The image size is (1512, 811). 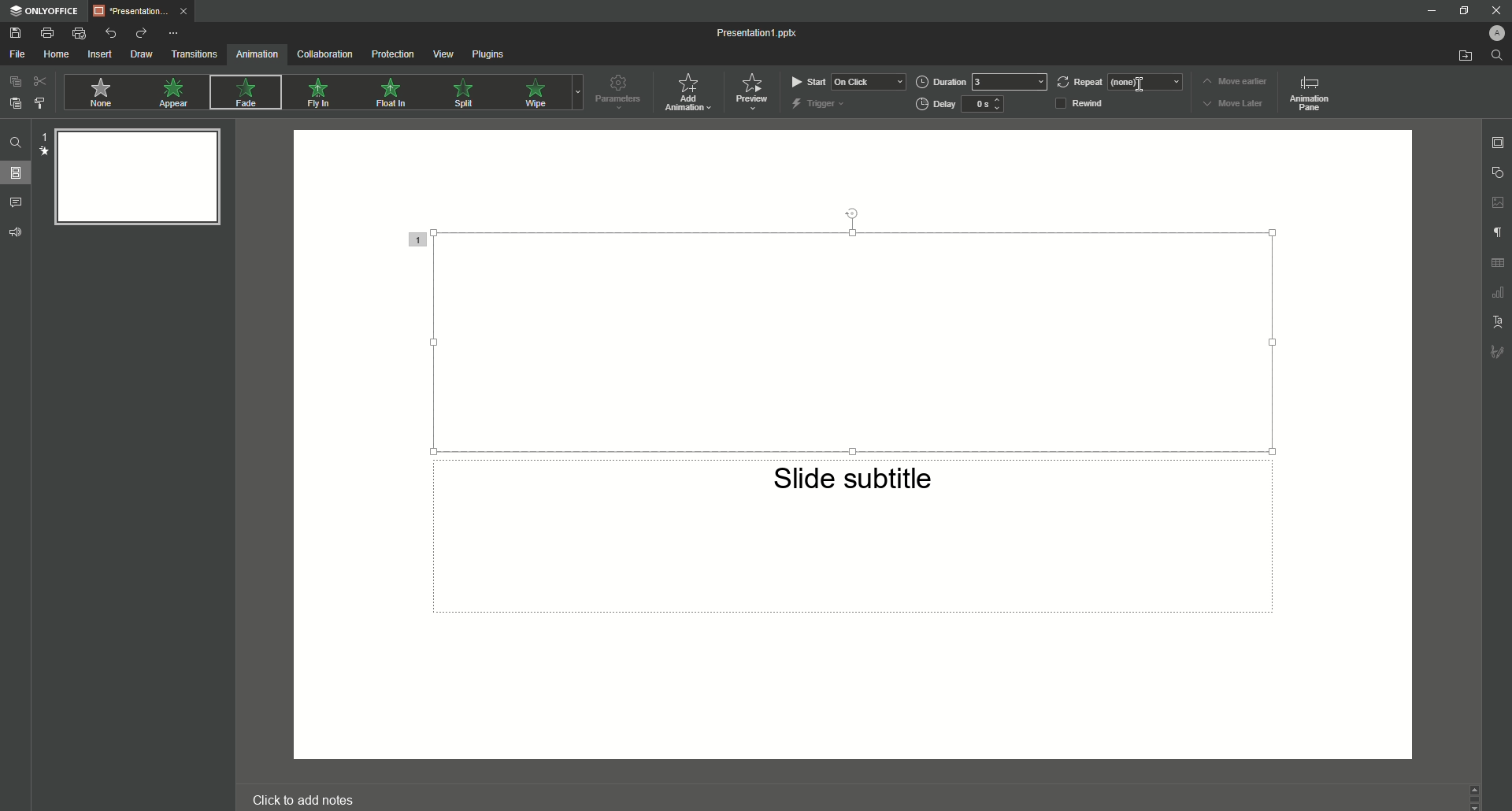 I want to click on ONLYOFFICE, so click(x=47, y=11).